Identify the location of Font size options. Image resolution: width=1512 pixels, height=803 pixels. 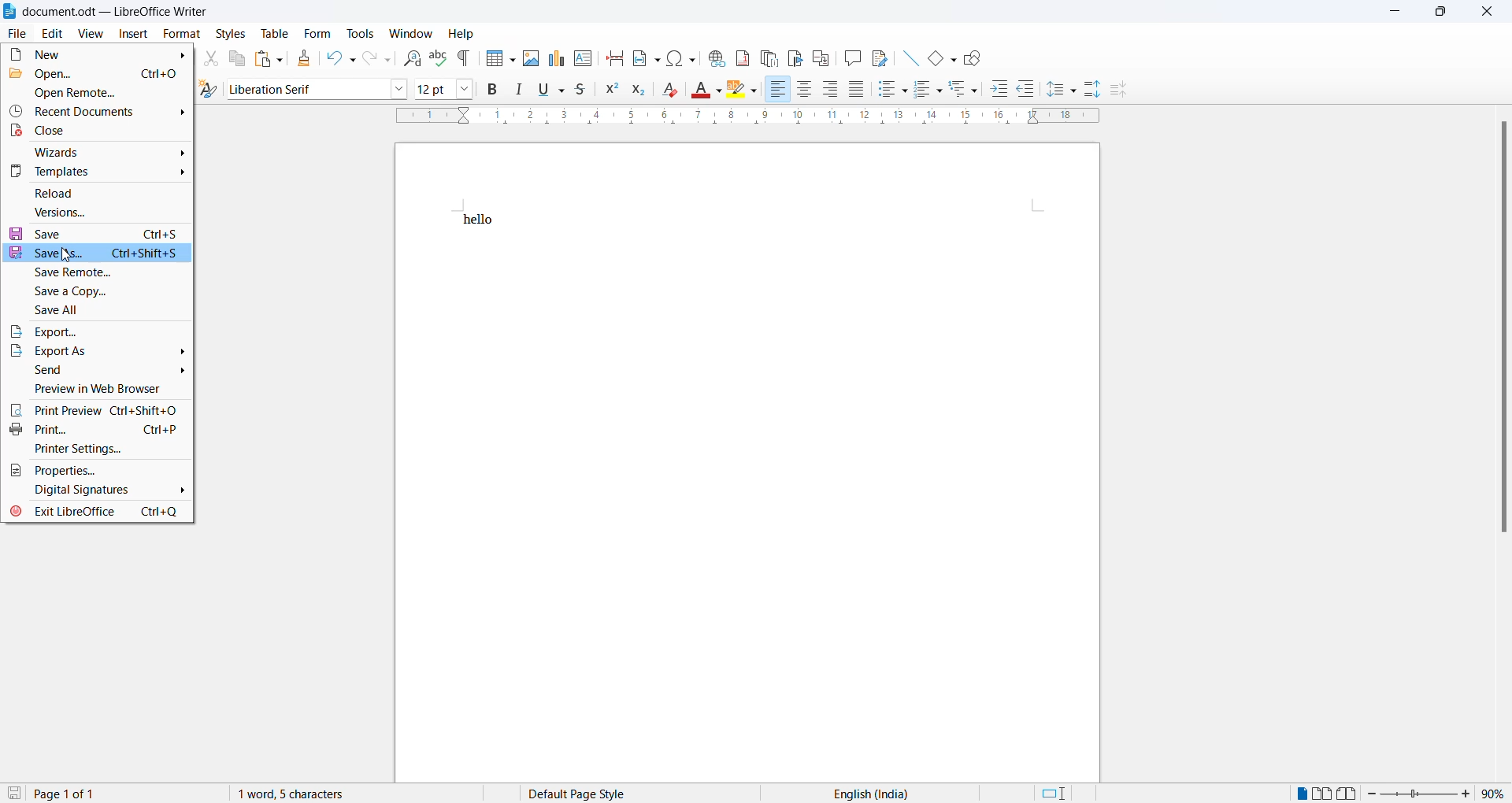
(466, 90).